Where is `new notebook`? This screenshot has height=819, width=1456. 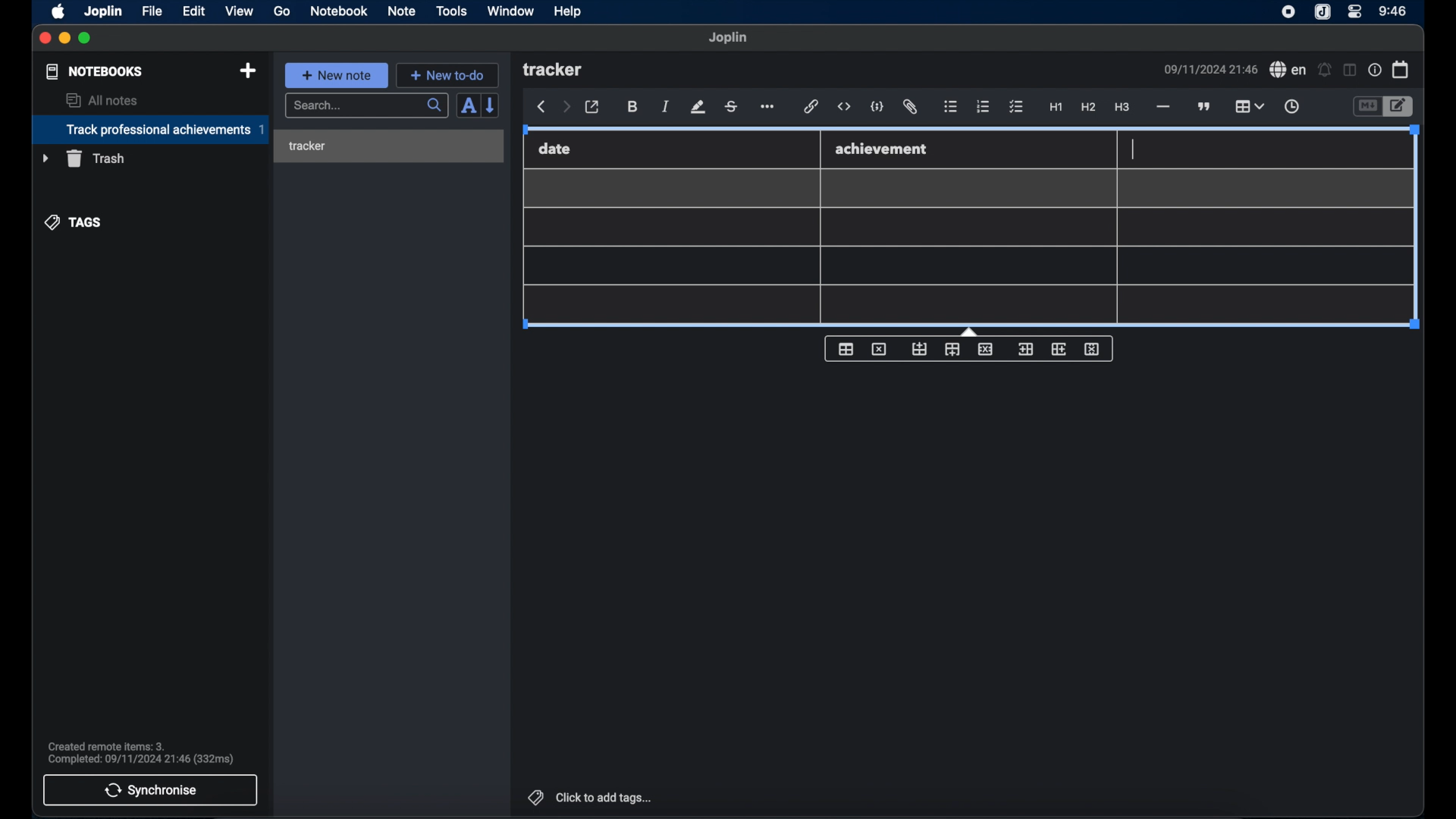 new notebook is located at coordinates (248, 71).